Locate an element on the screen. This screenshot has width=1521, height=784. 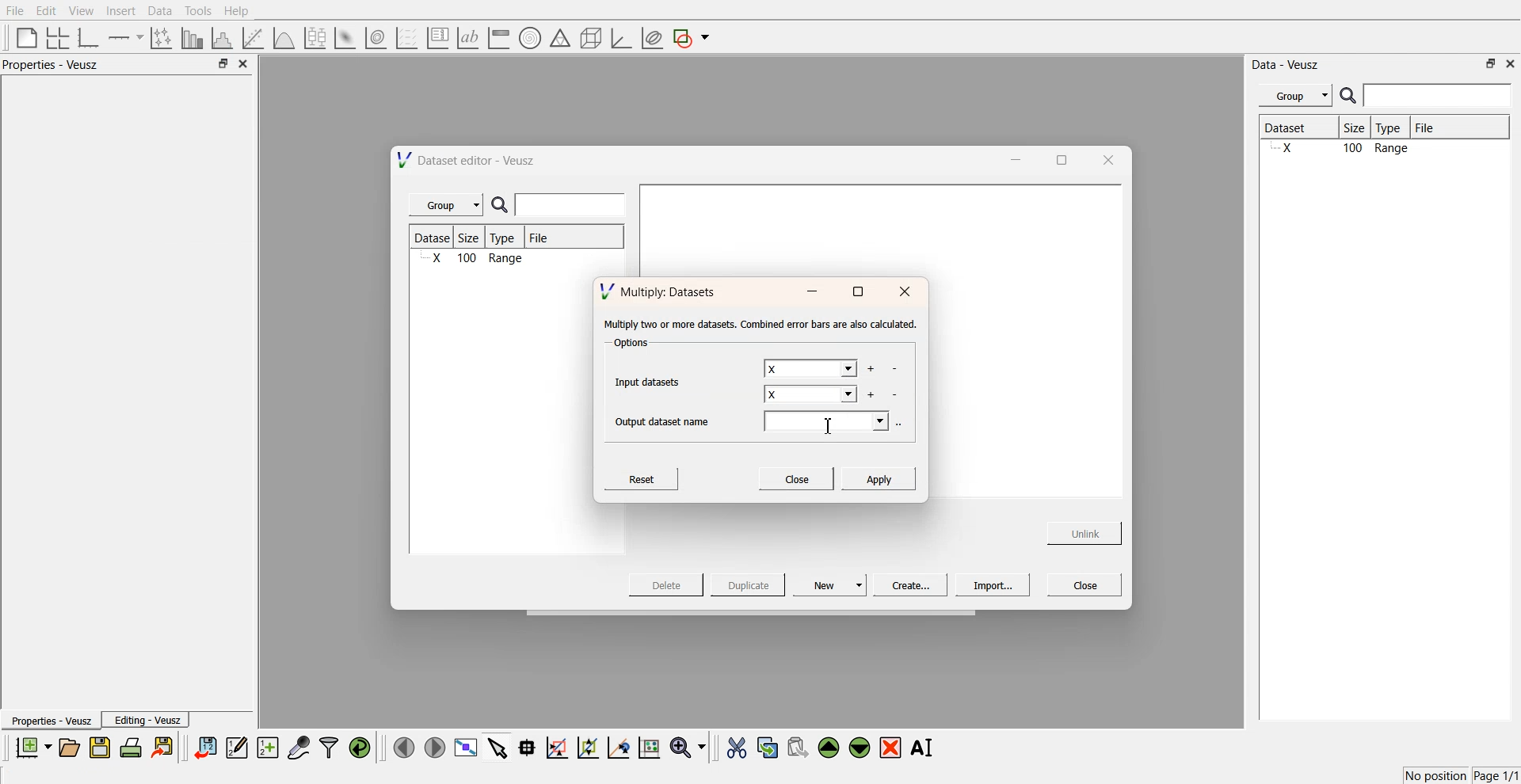
maximise is located at coordinates (857, 292).